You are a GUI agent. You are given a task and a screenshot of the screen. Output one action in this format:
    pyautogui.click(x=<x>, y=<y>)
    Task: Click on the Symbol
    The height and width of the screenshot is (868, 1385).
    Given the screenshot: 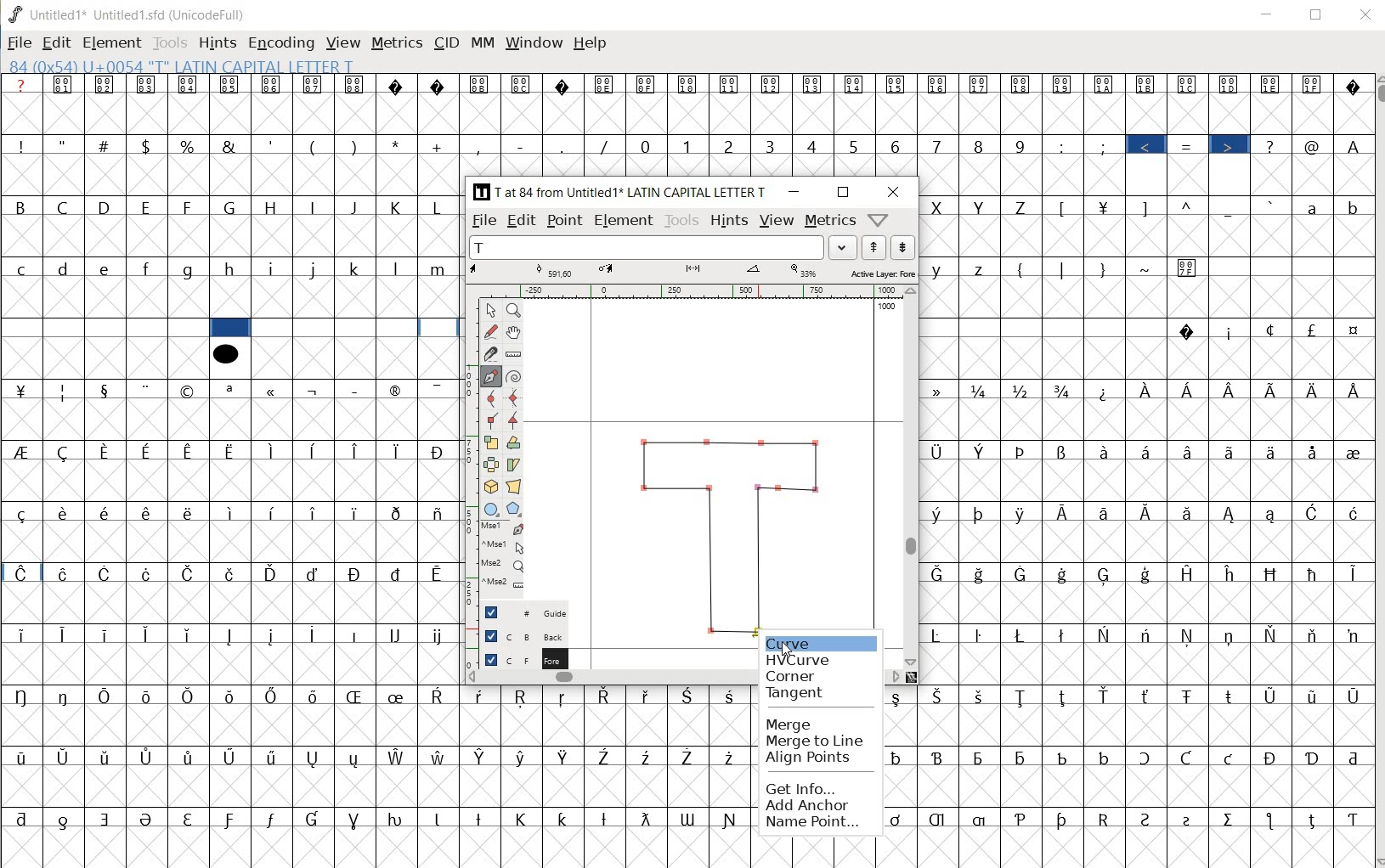 What is the action you would take?
    pyautogui.click(x=148, y=572)
    